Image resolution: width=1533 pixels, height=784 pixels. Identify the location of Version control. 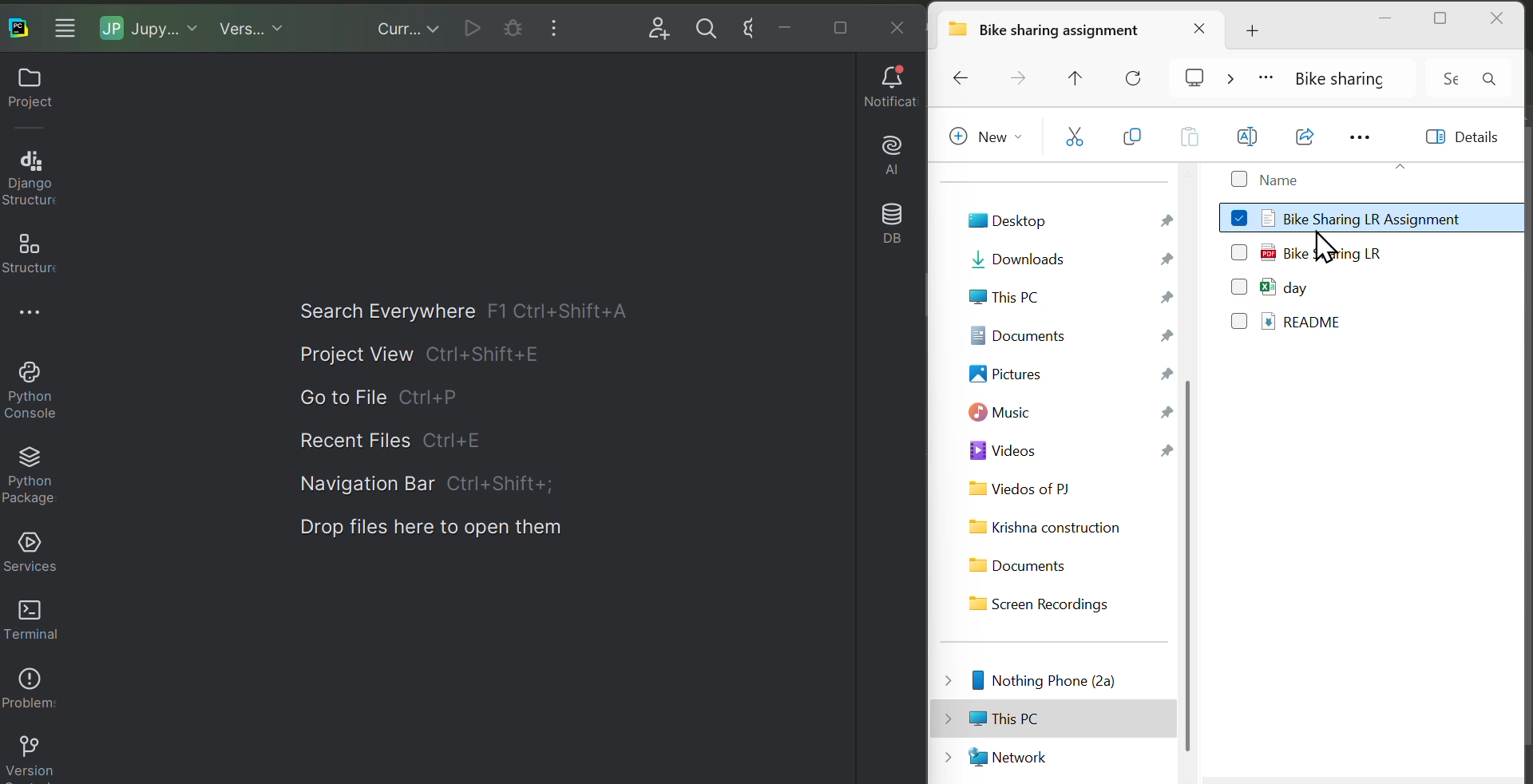
(28, 758).